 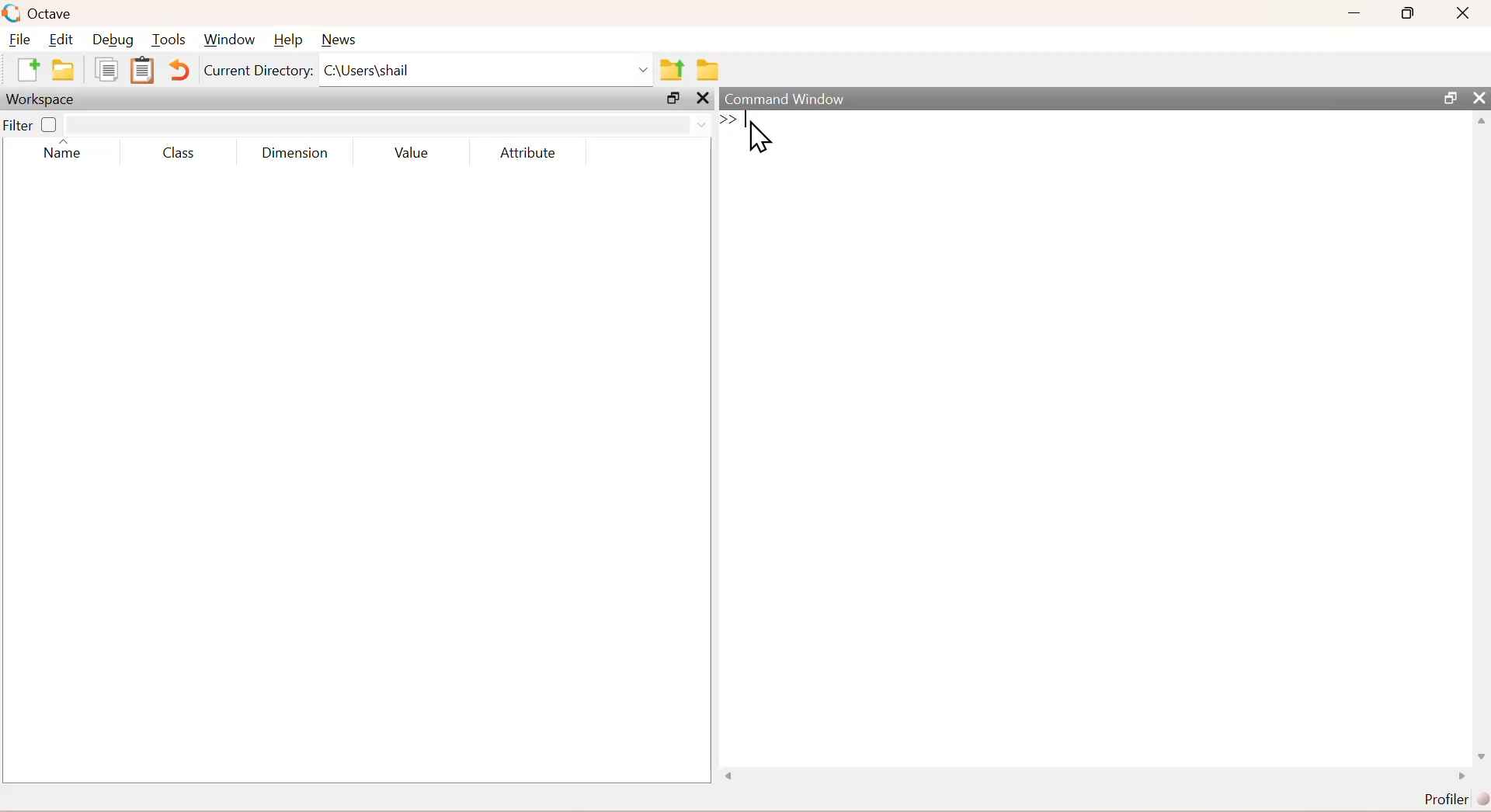 What do you see at coordinates (36, 124) in the screenshot?
I see `Filter` at bounding box center [36, 124].